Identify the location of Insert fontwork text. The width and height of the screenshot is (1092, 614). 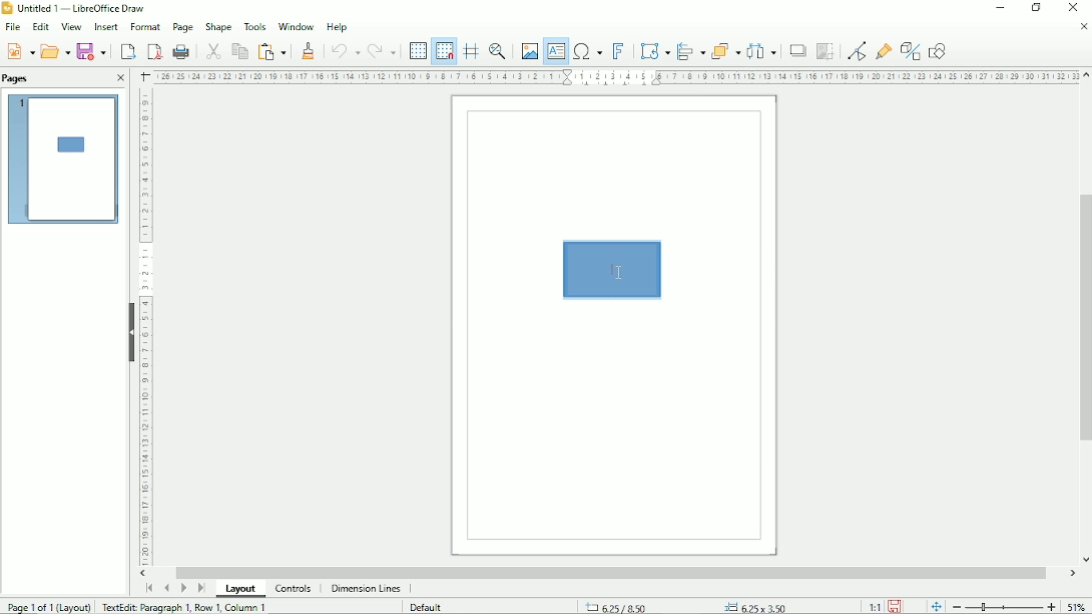
(620, 51).